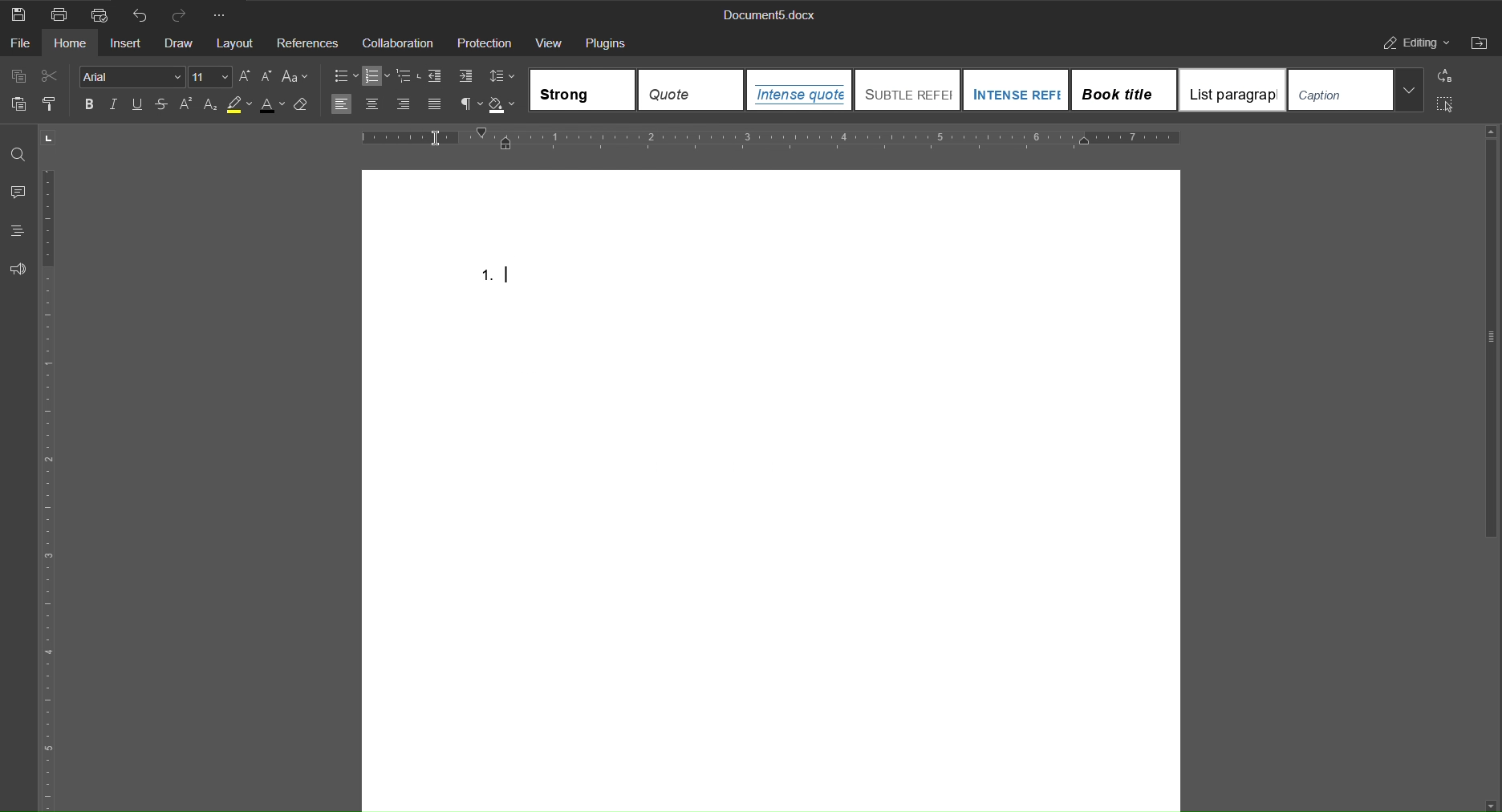 The width and height of the screenshot is (1502, 812). I want to click on Collaboration, so click(400, 44).